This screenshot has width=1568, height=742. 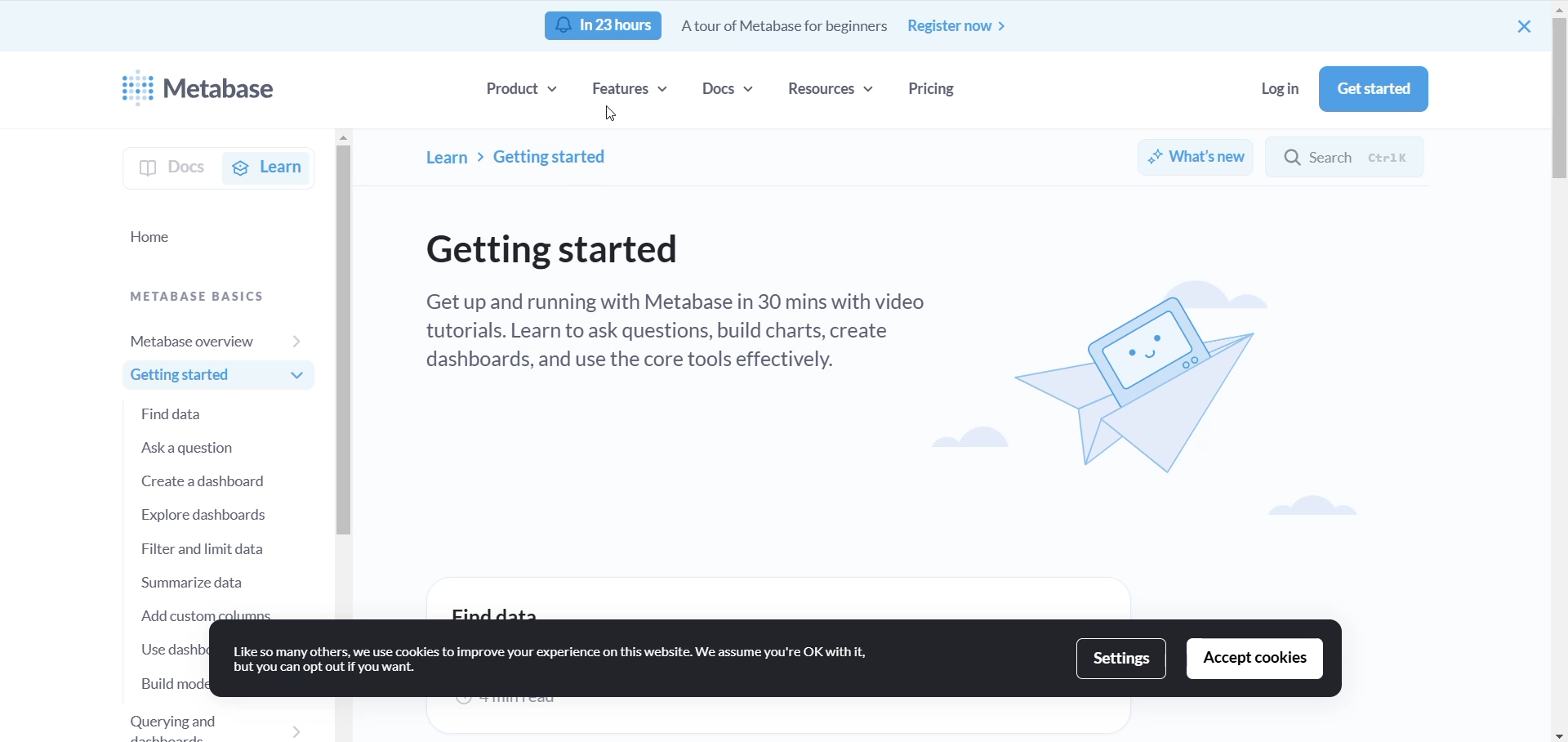 I want to click on CURSOR, so click(x=612, y=116).